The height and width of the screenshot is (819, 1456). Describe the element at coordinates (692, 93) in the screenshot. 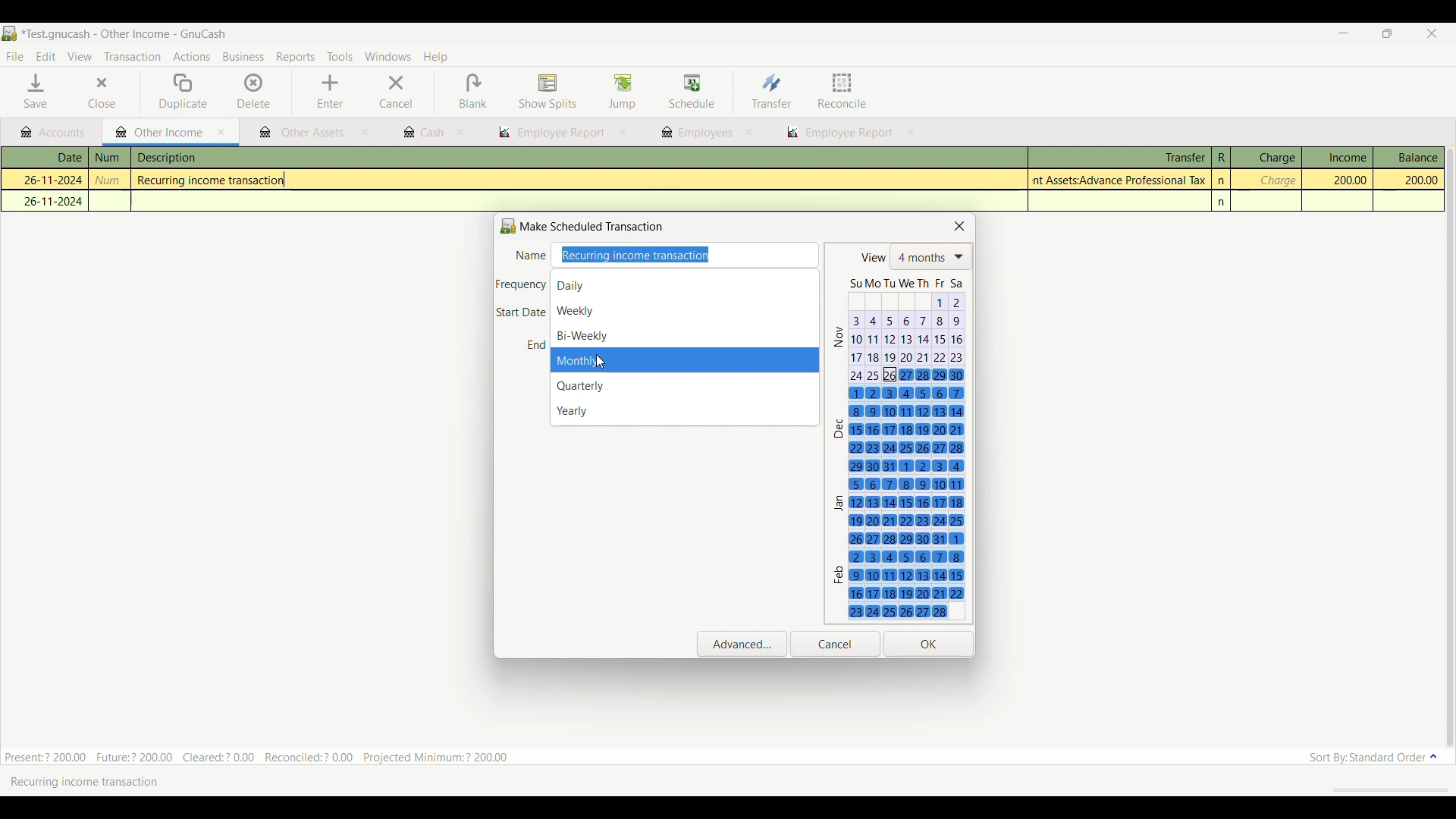

I see `Schedule highlighted after selection by cursor` at that location.